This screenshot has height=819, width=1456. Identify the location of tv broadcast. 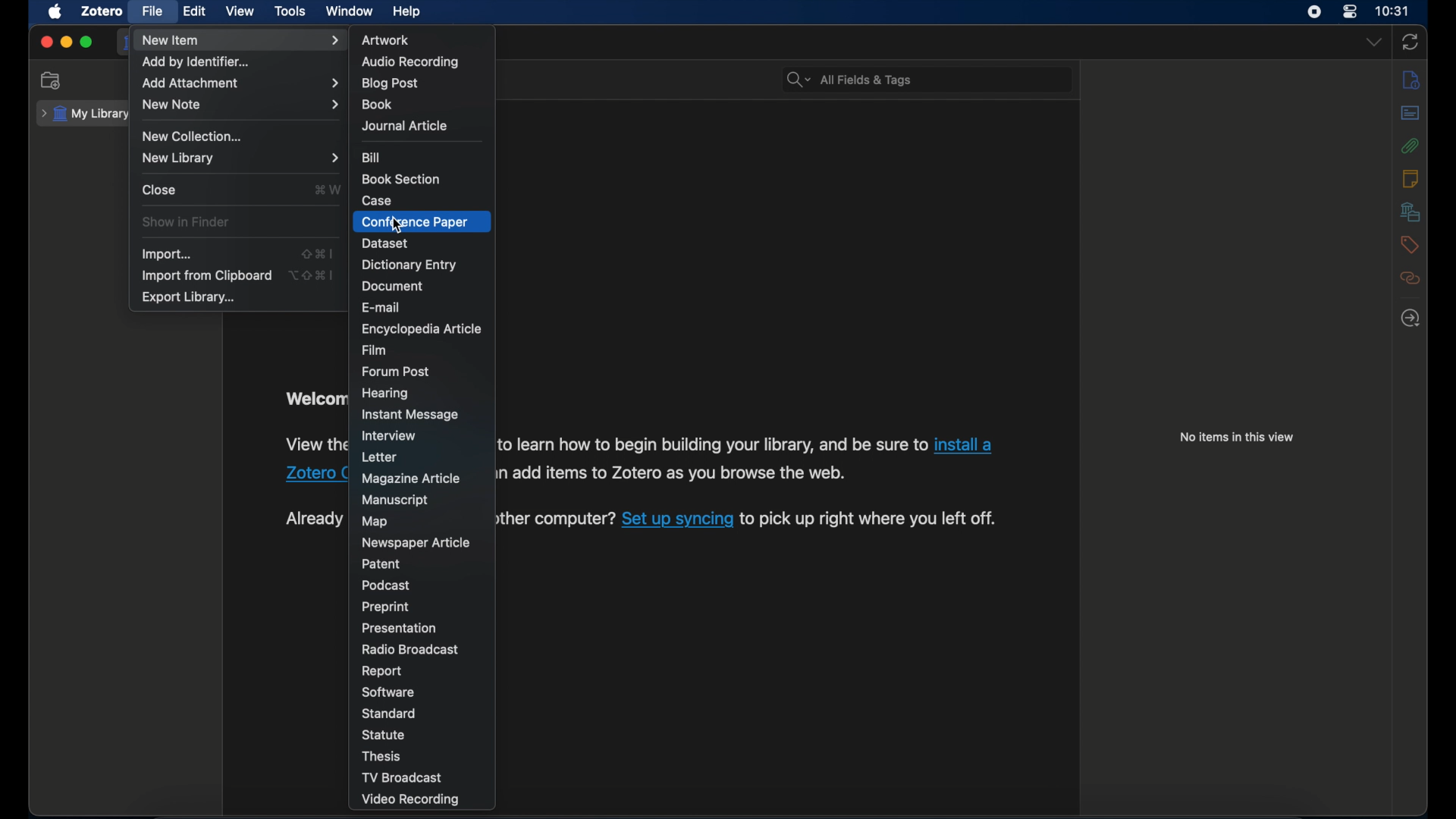
(404, 778).